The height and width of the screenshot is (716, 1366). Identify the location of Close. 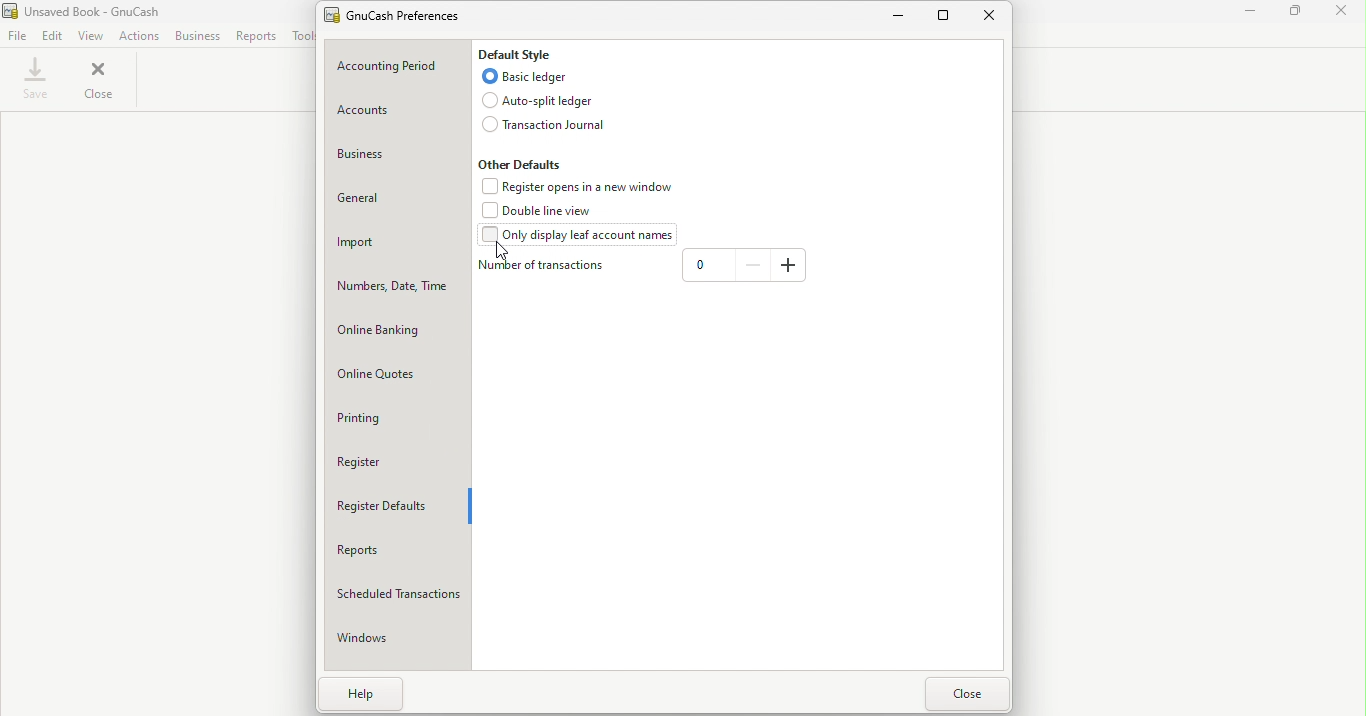
(995, 19).